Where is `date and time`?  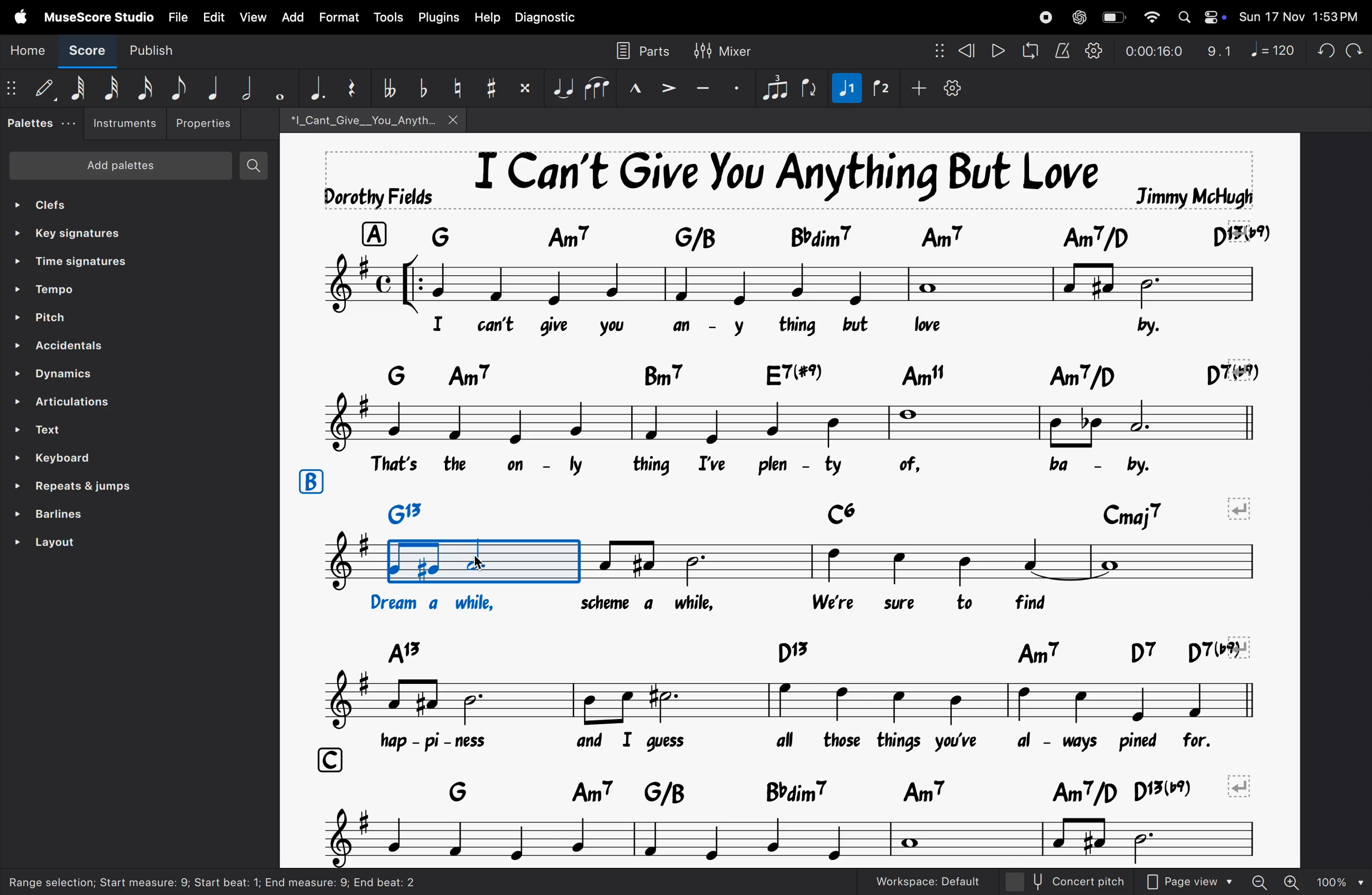
date and time is located at coordinates (1302, 14).